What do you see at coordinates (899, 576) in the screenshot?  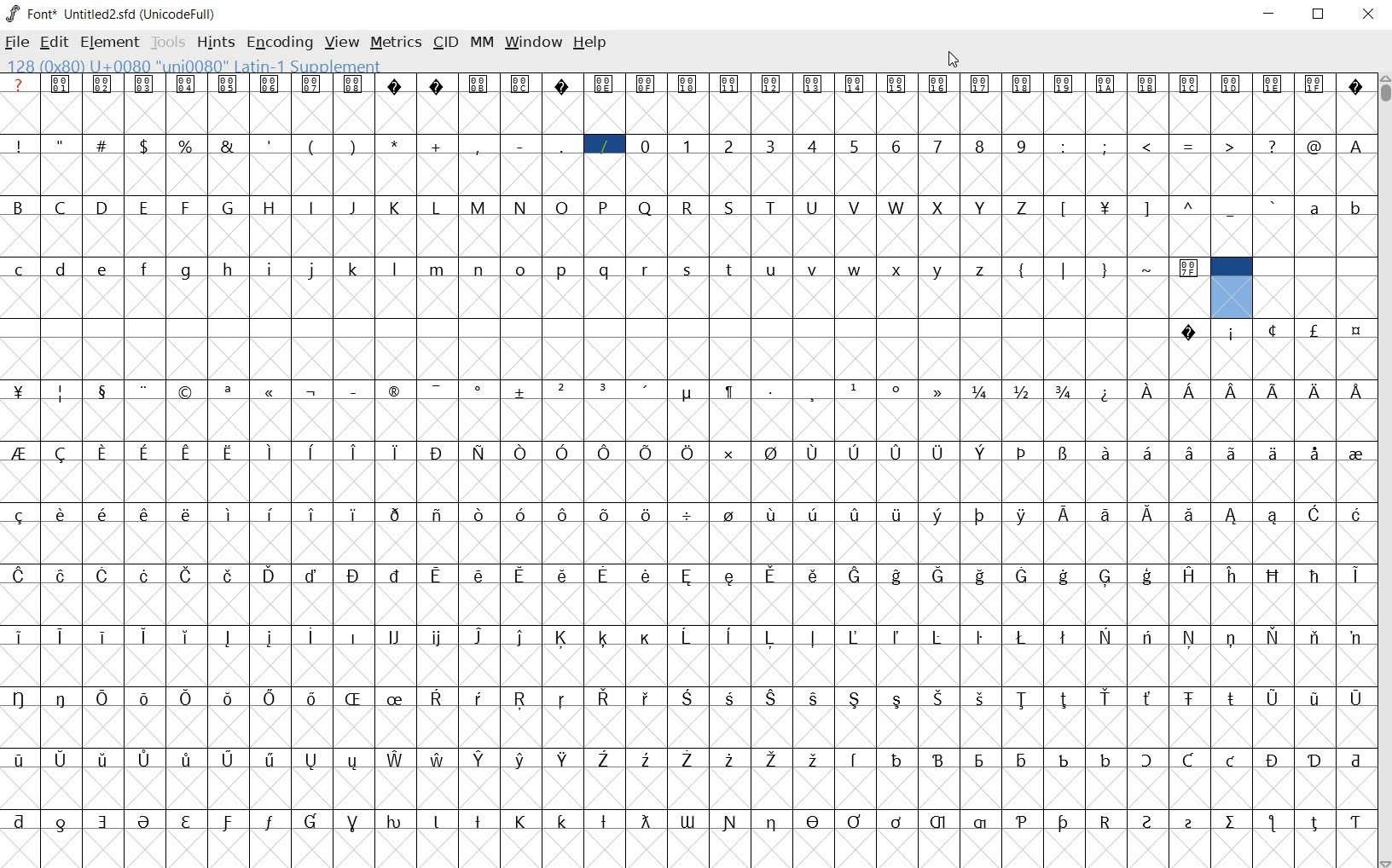 I see `Symbol` at bounding box center [899, 576].